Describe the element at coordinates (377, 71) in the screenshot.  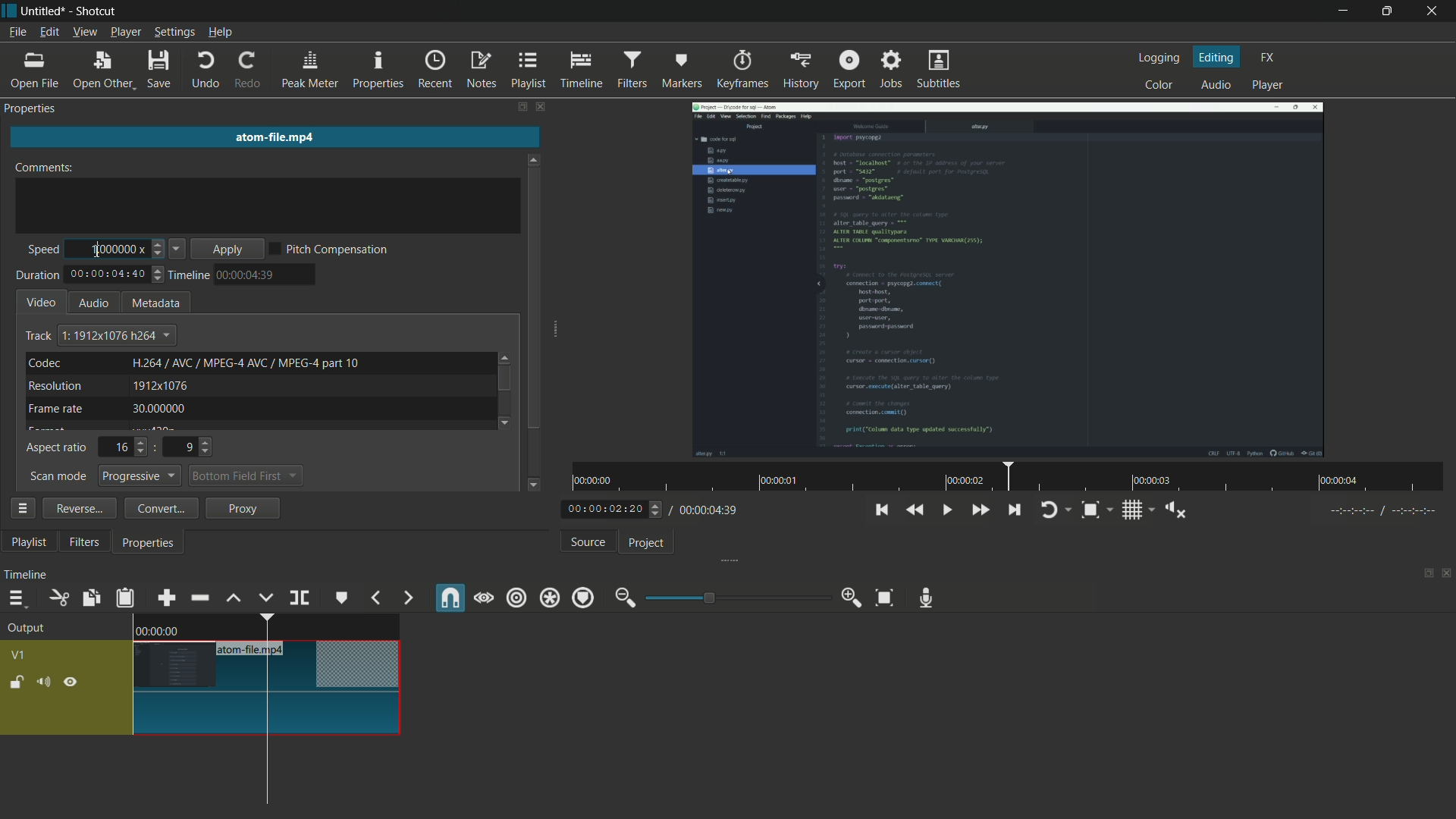
I see `properties` at that location.